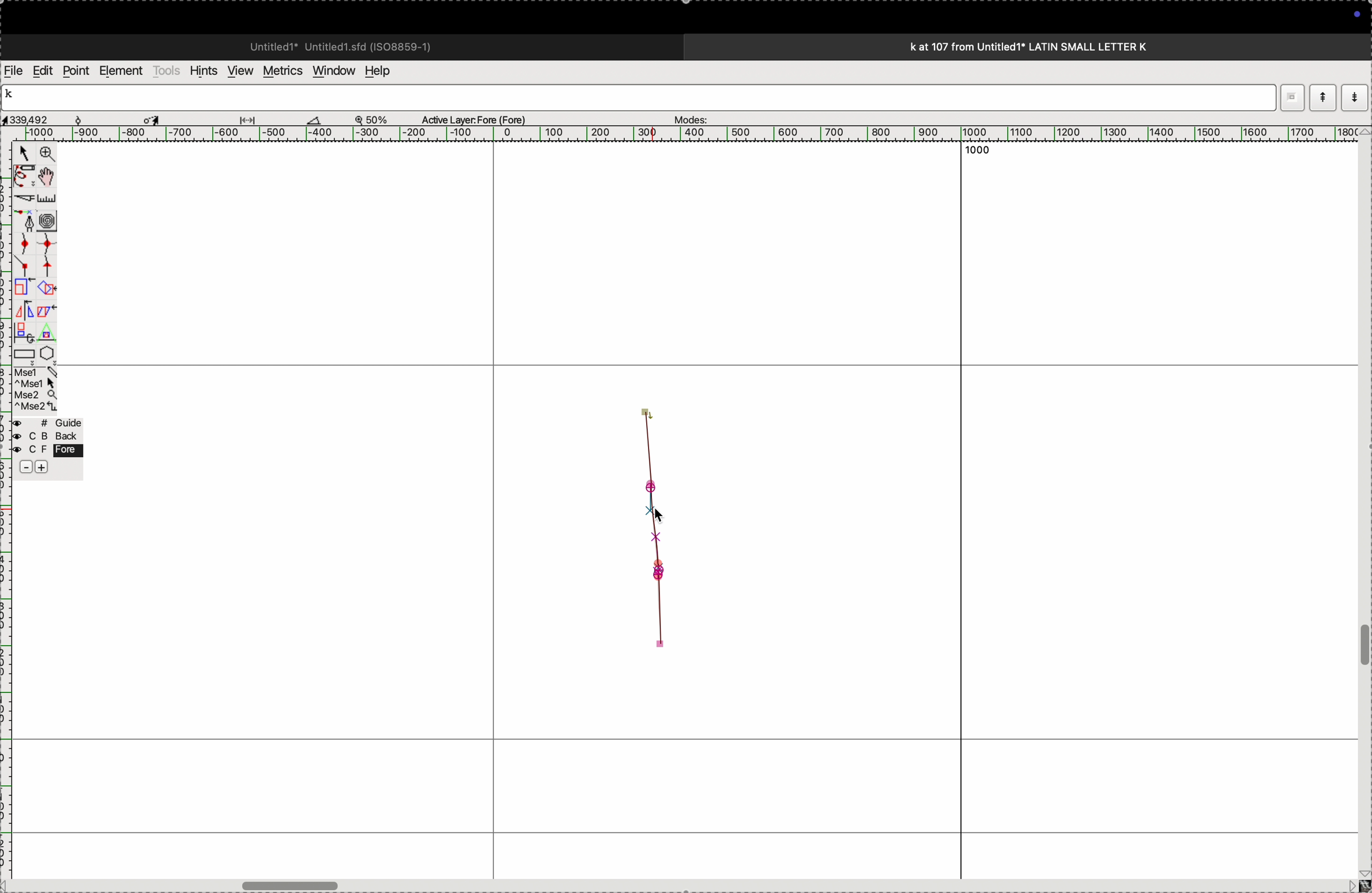 The width and height of the screenshot is (1372, 893). Describe the element at coordinates (24, 320) in the screenshot. I see `mirror` at that location.